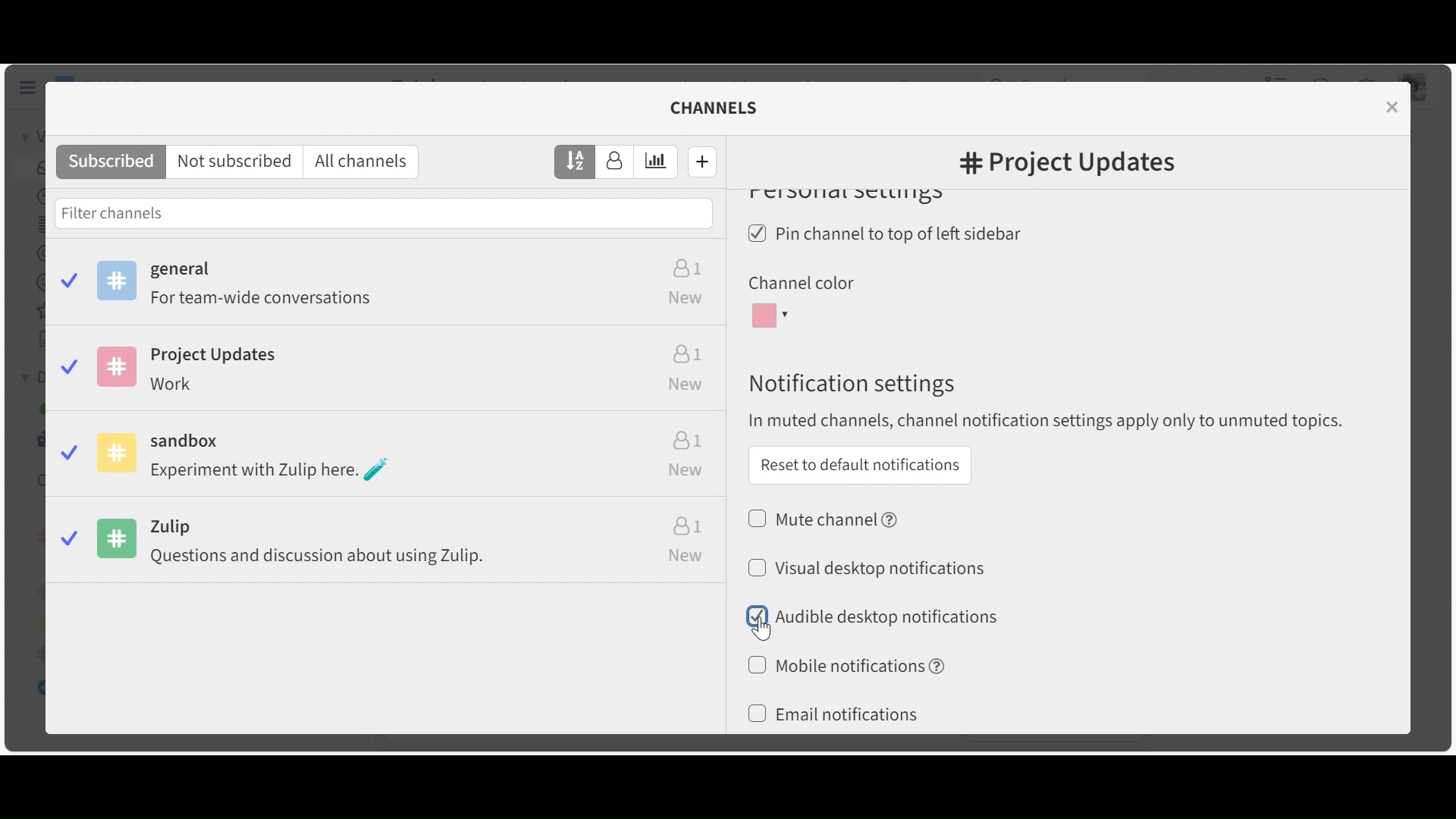 This screenshot has height=819, width=1456. I want to click on Channel color dropdown menu, so click(773, 316).